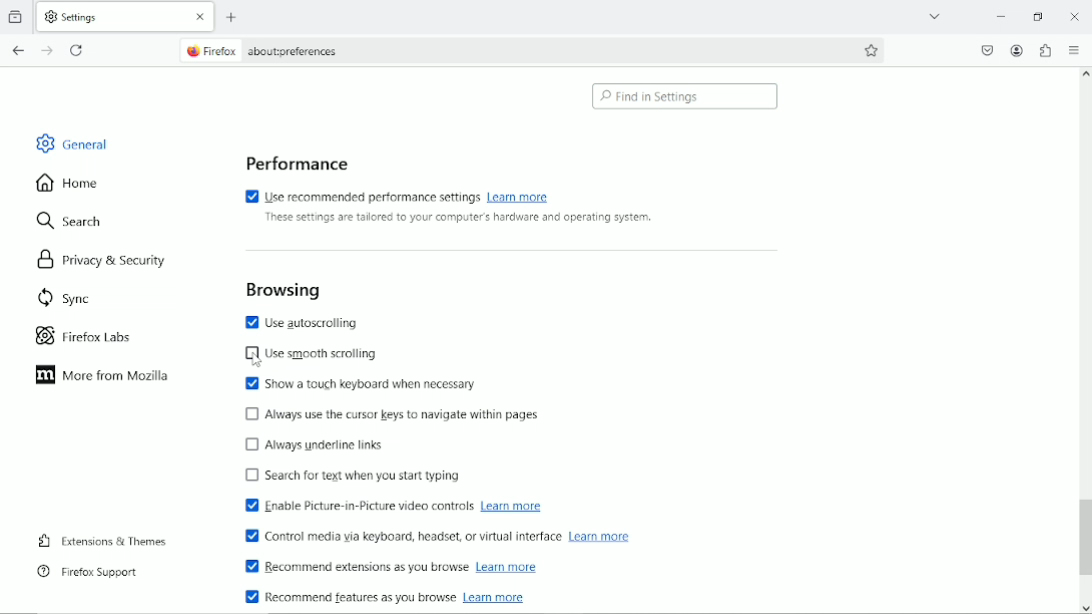 The width and height of the screenshot is (1092, 614). I want to click on Firefox  about:preferences, so click(260, 52).